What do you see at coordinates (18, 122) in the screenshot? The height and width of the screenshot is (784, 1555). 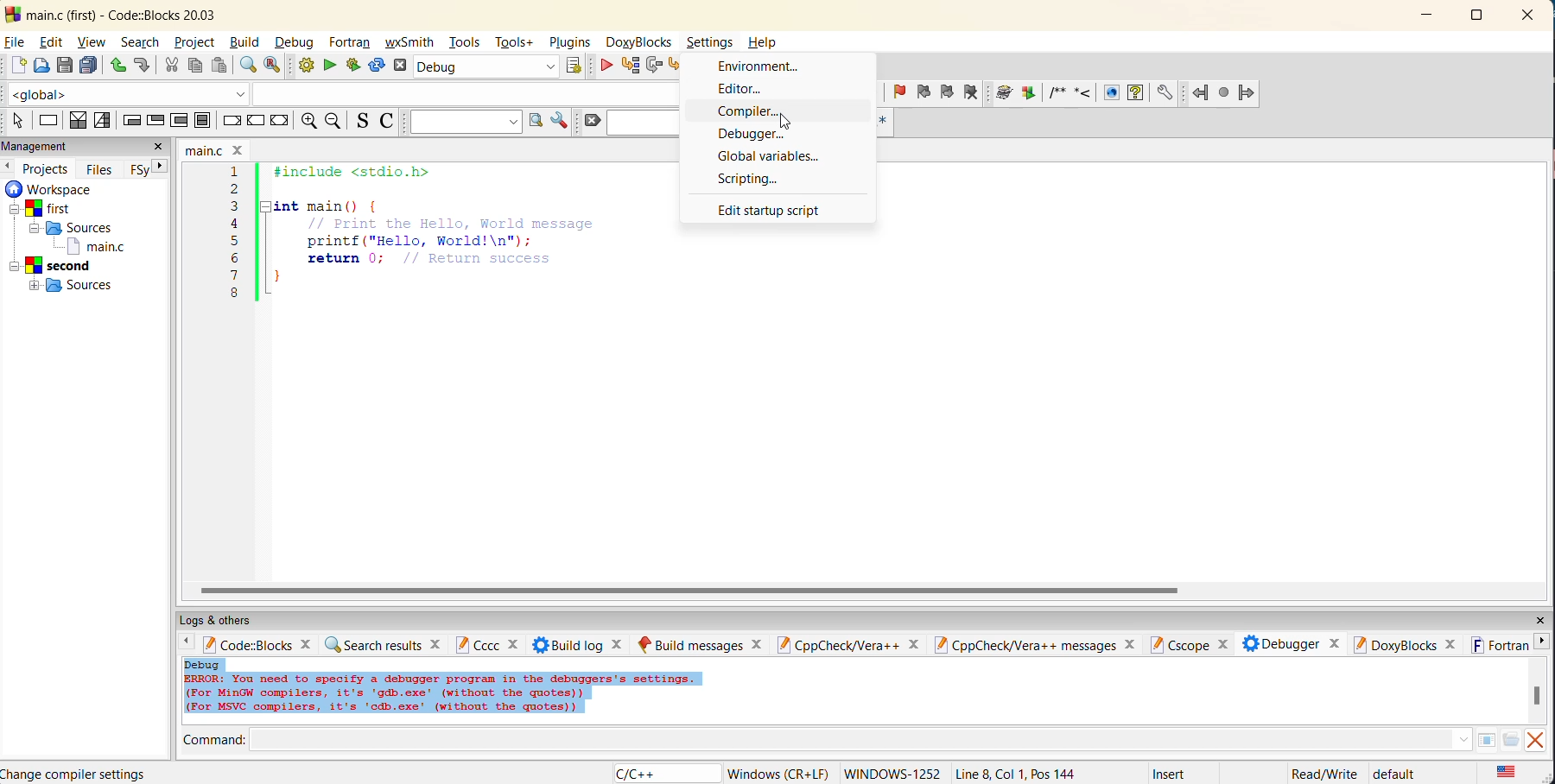 I see `select` at bounding box center [18, 122].